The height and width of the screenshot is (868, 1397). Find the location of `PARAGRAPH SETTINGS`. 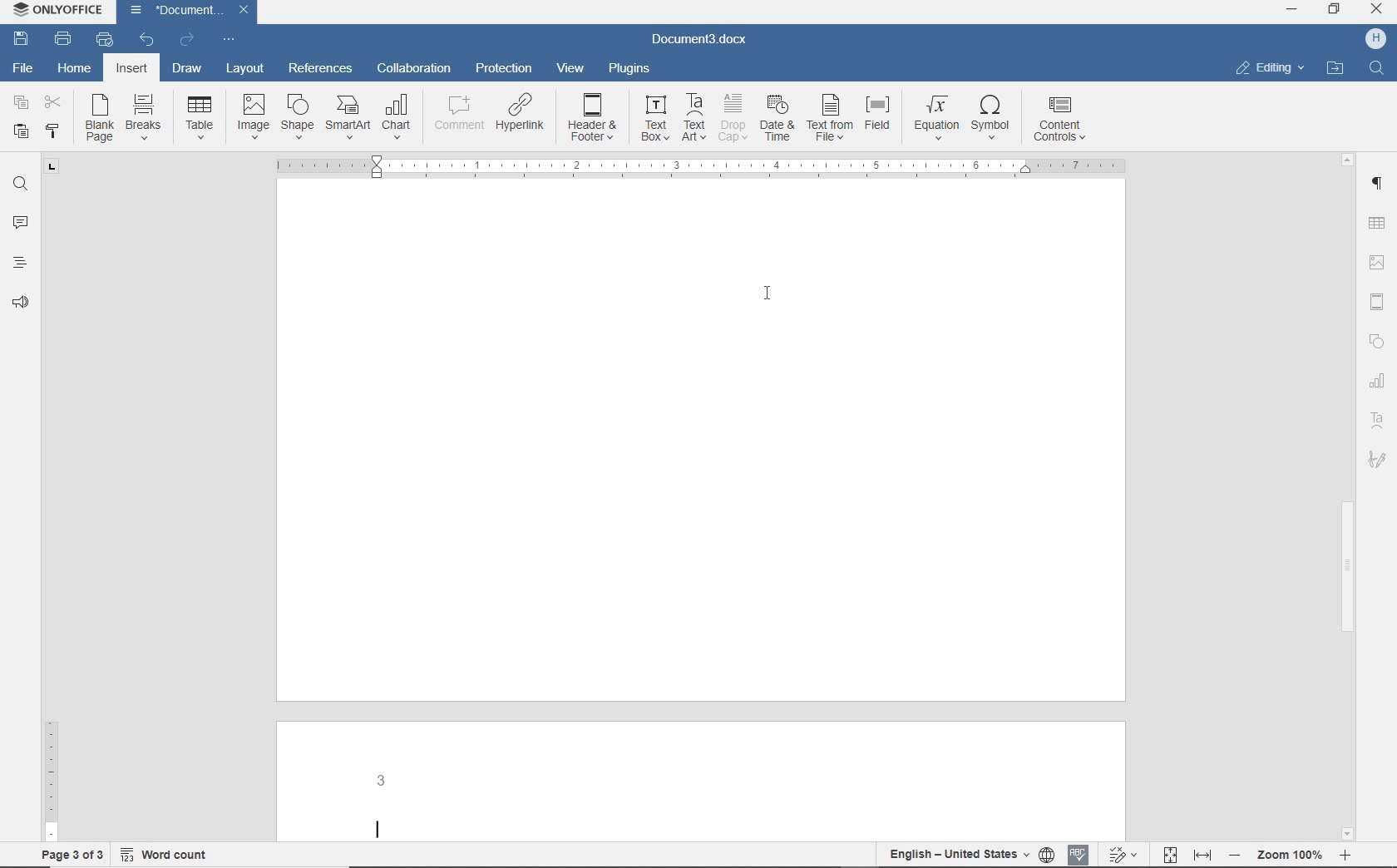

PARAGRAPH SETTINGS is located at coordinates (1378, 184).